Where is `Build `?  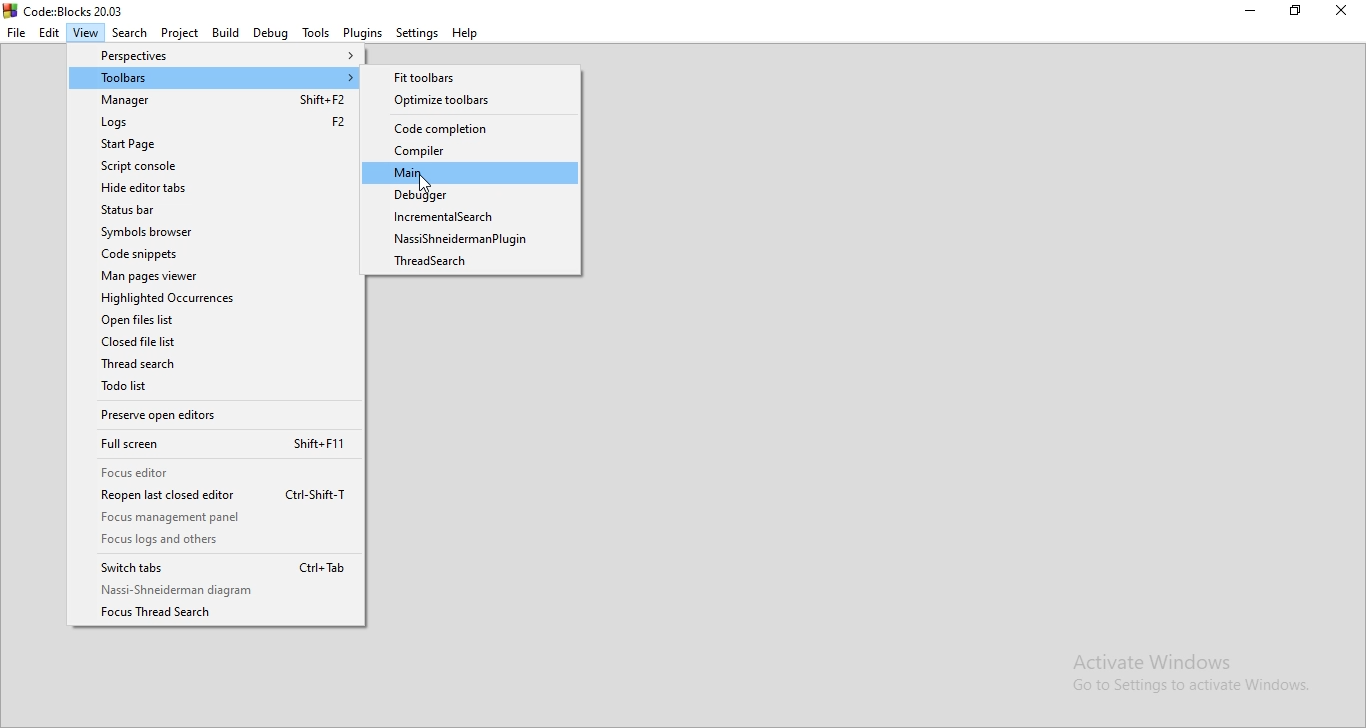
Build  is located at coordinates (225, 33).